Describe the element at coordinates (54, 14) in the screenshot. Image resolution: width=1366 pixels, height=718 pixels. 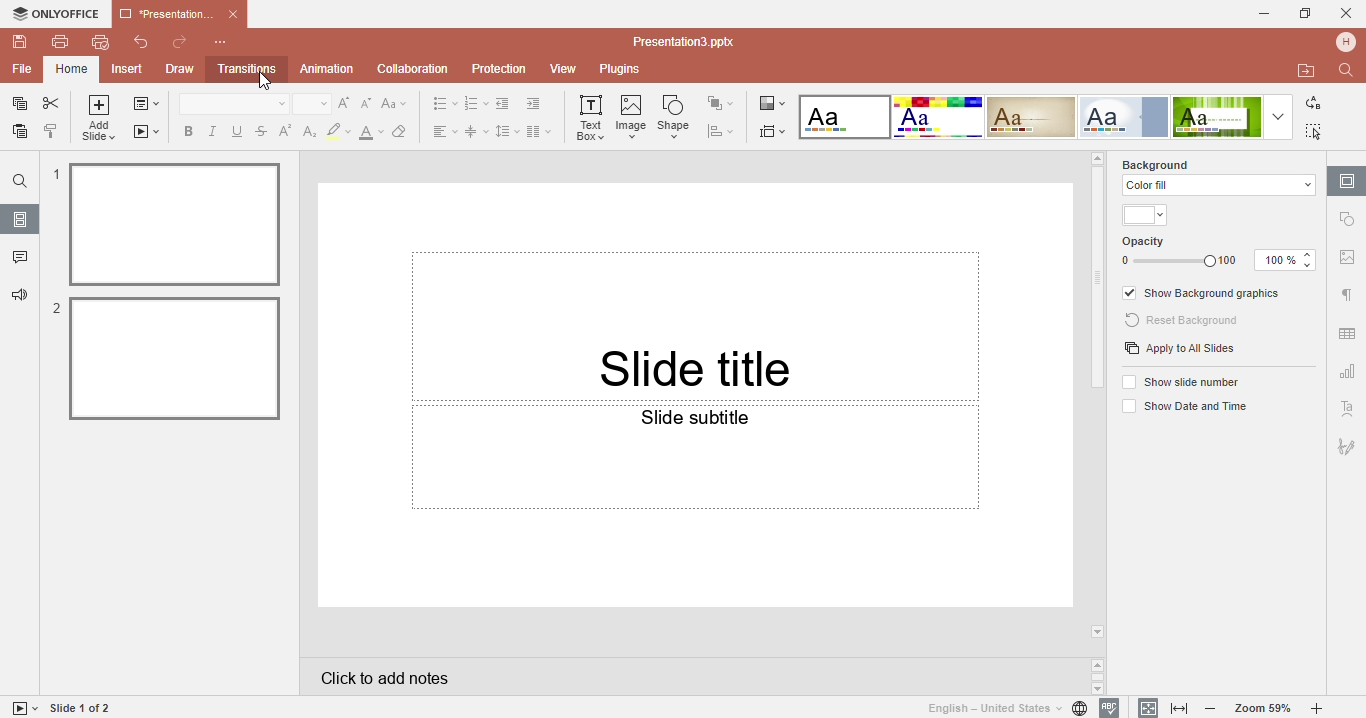
I see `Only office` at that location.